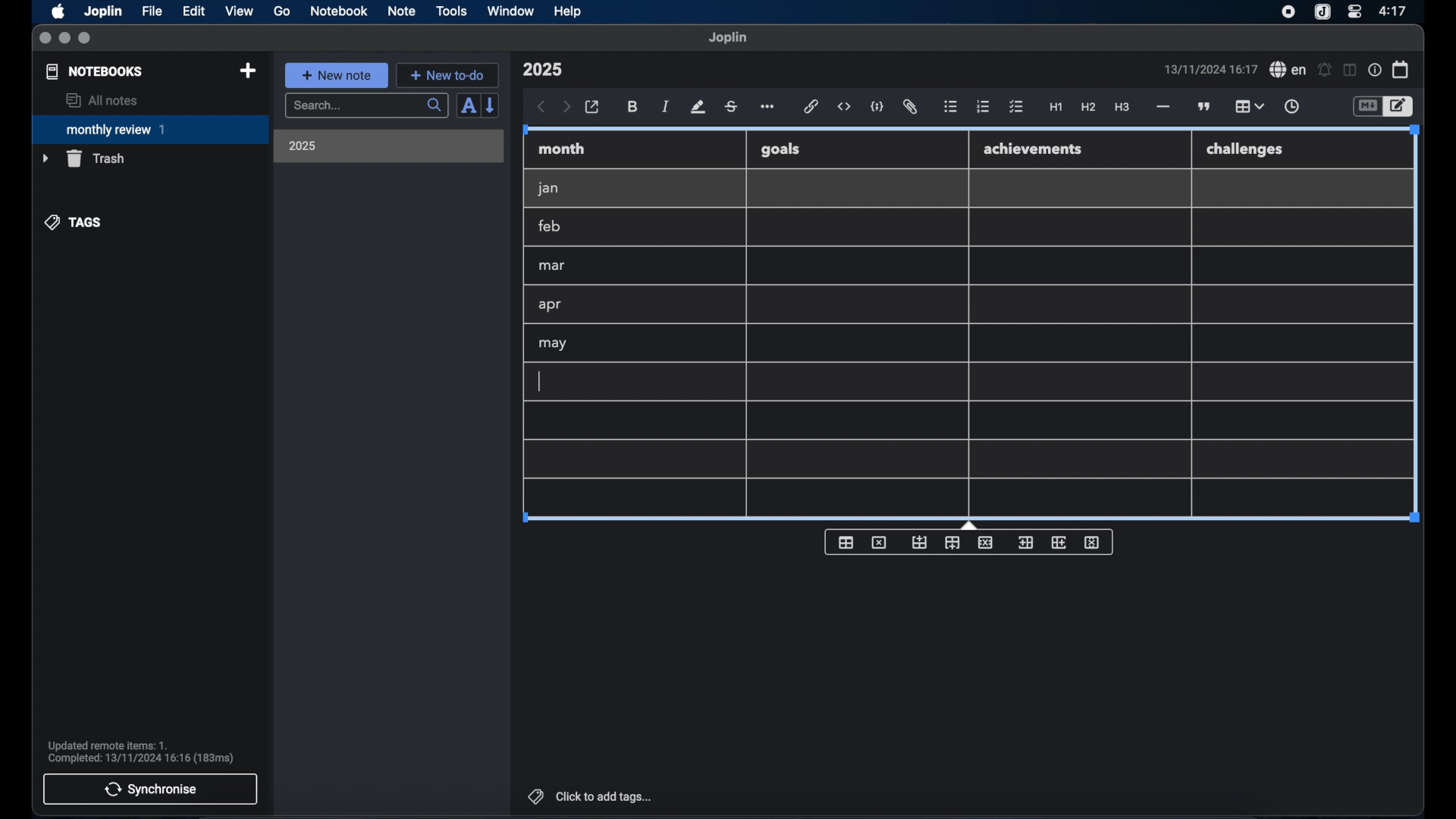 The image size is (1456, 819). I want to click on inline code, so click(844, 107).